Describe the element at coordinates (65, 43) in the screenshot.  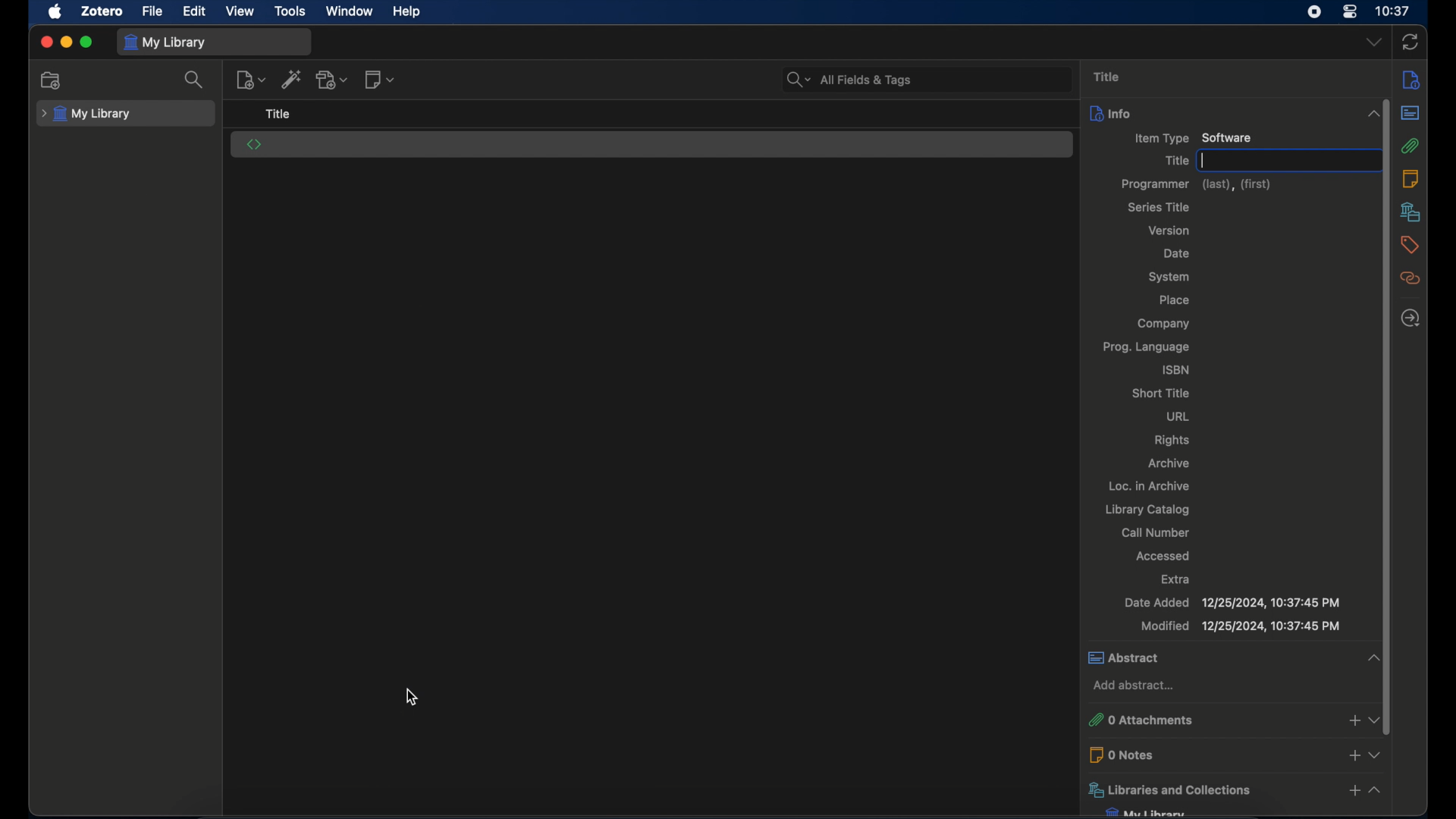
I see `minimize` at that location.